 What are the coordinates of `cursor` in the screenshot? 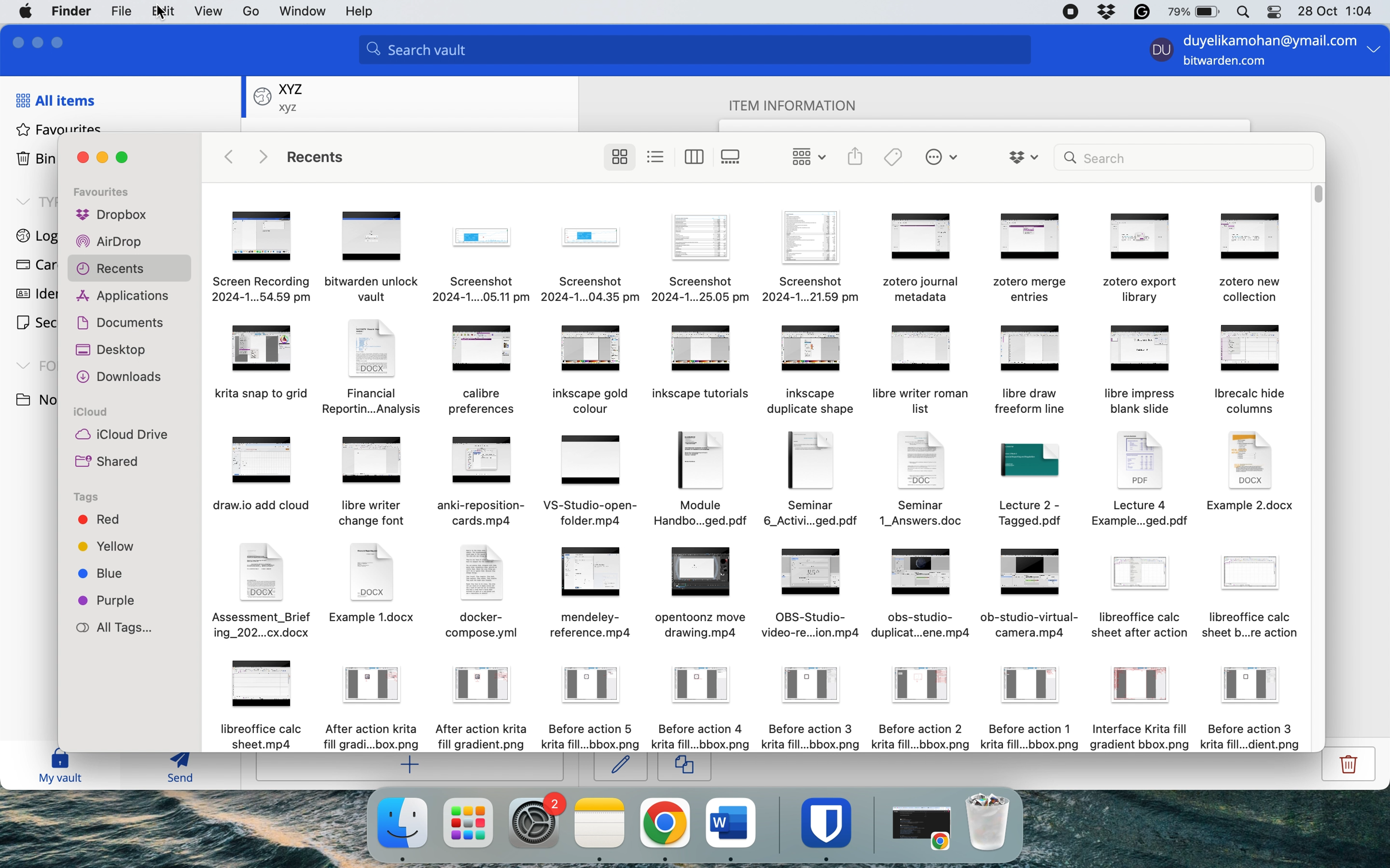 It's located at (160, 24).